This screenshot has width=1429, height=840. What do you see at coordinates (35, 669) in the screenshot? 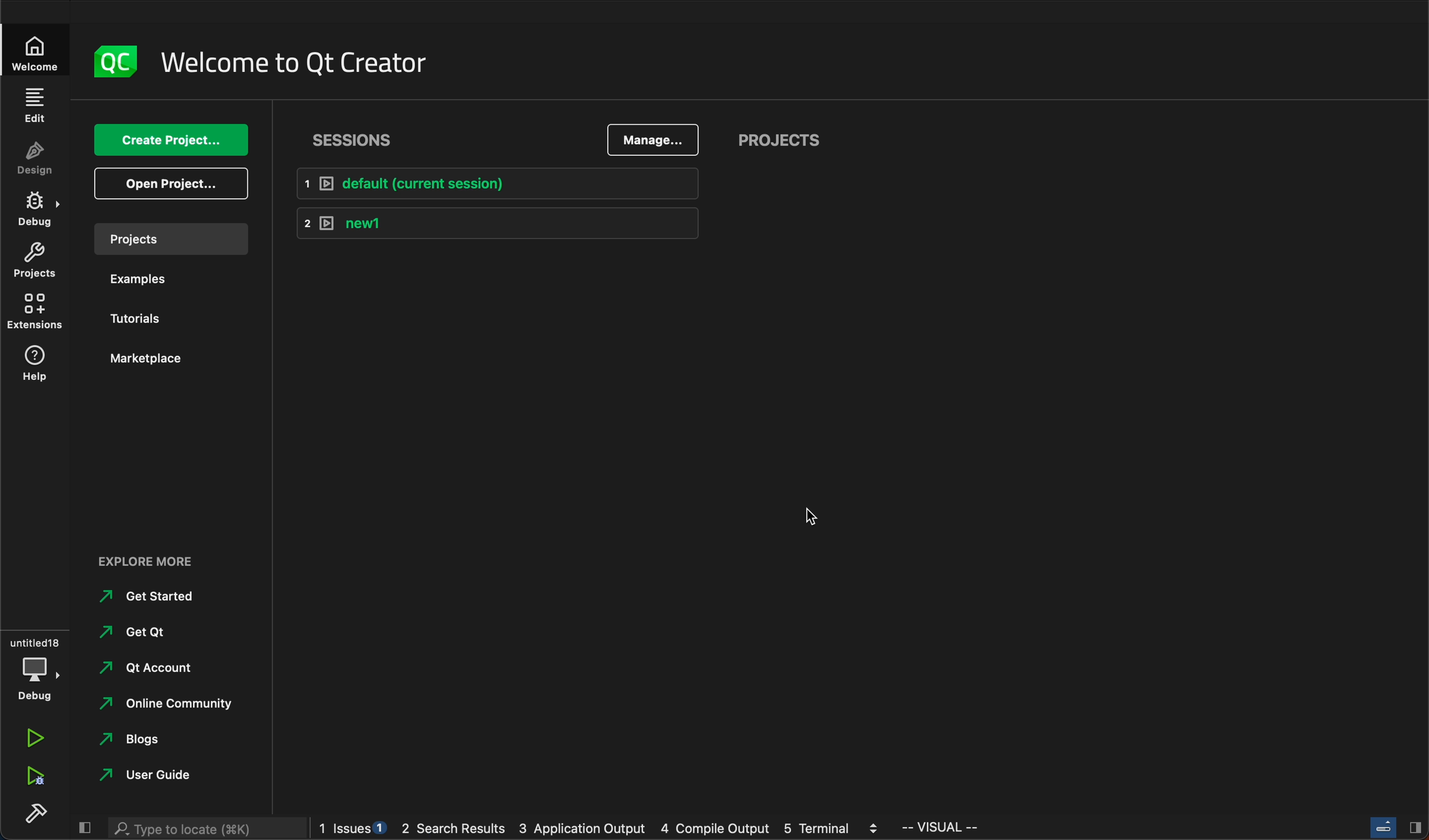
I see `debug` at bounding box center [35, 669].